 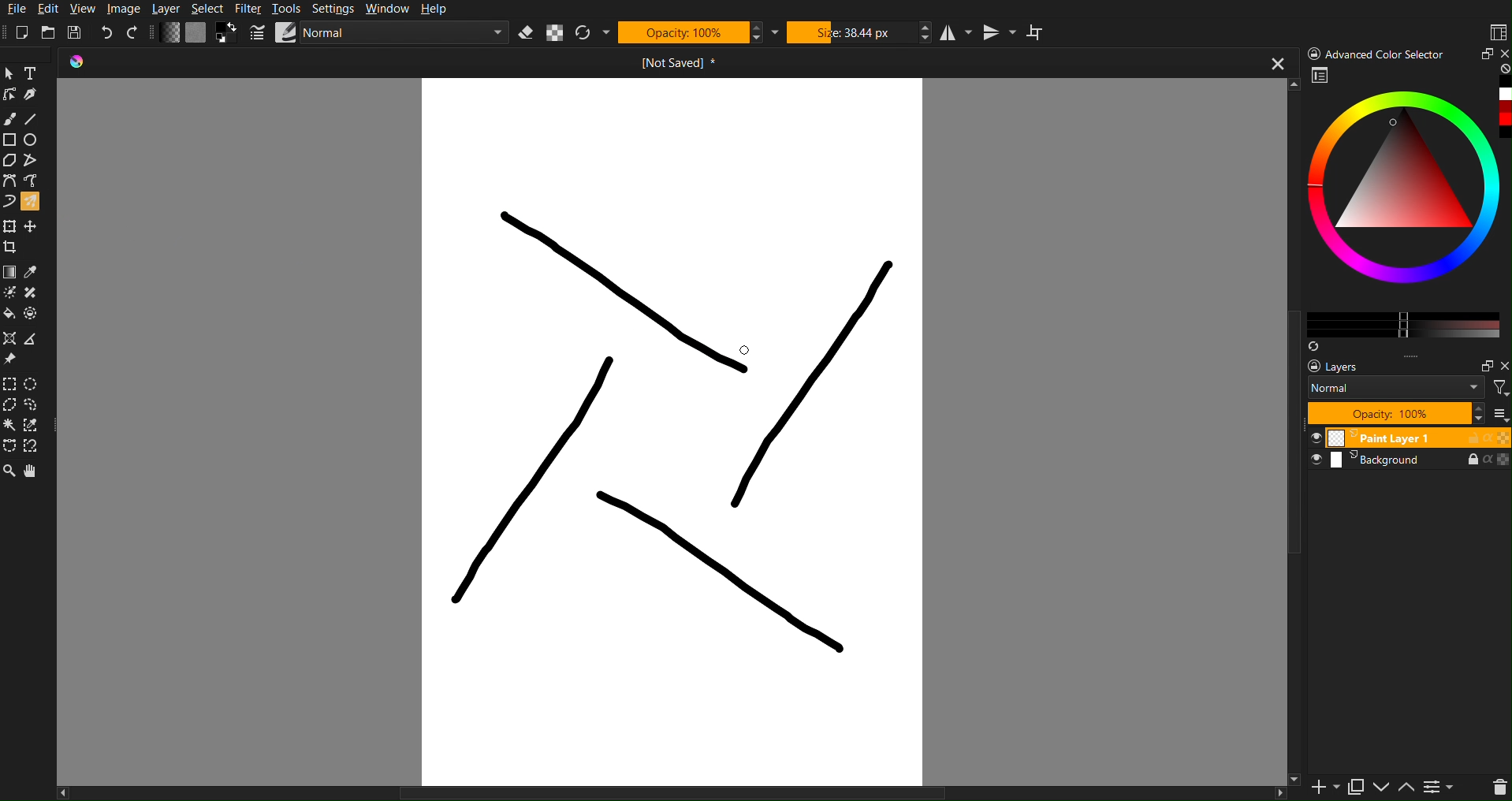 What do you see at coordinates (1503, 69) in the screenshot?
I see `none` at bounding box center [1503, 69].